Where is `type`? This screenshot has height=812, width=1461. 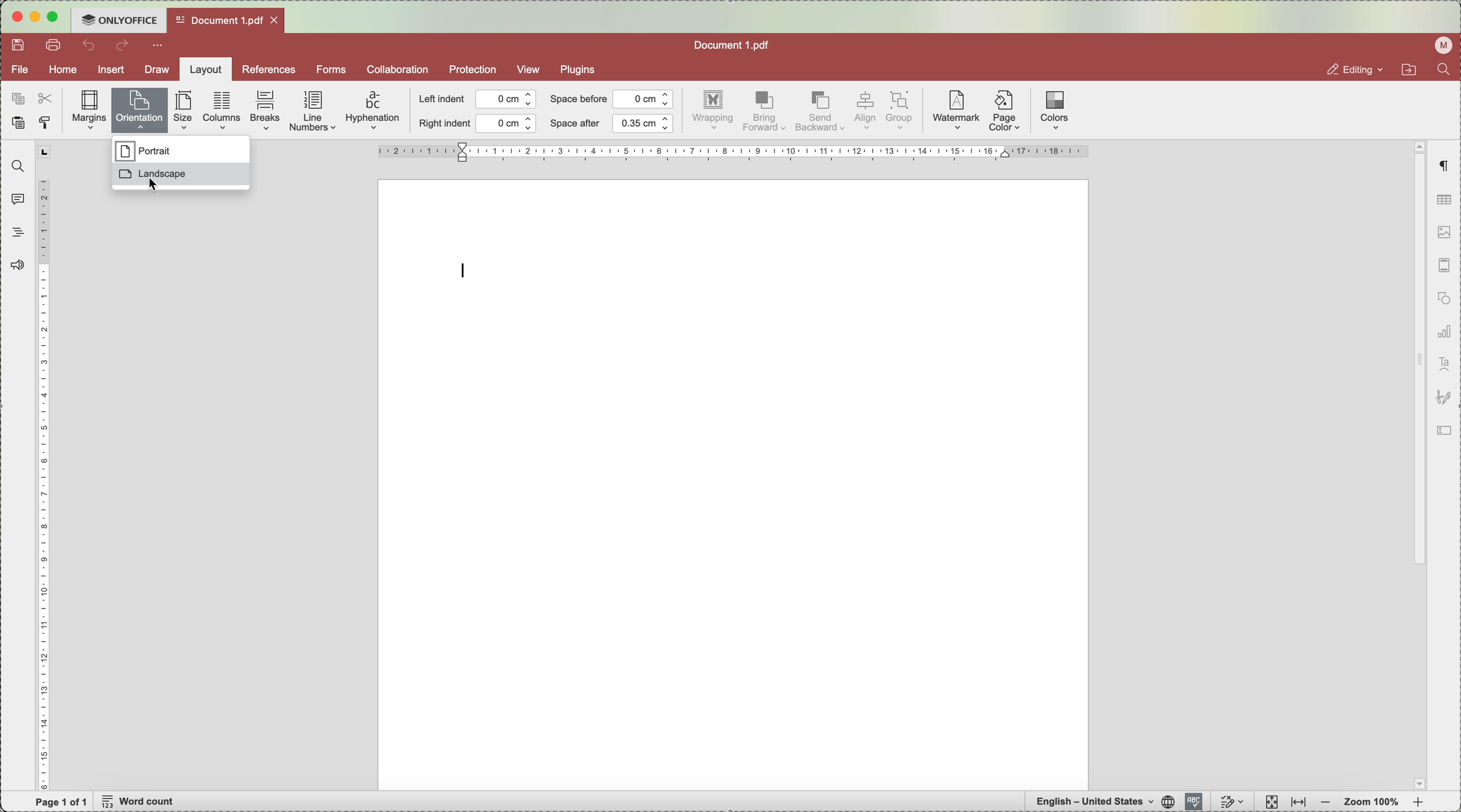
type is located at coordinates (466, 269).